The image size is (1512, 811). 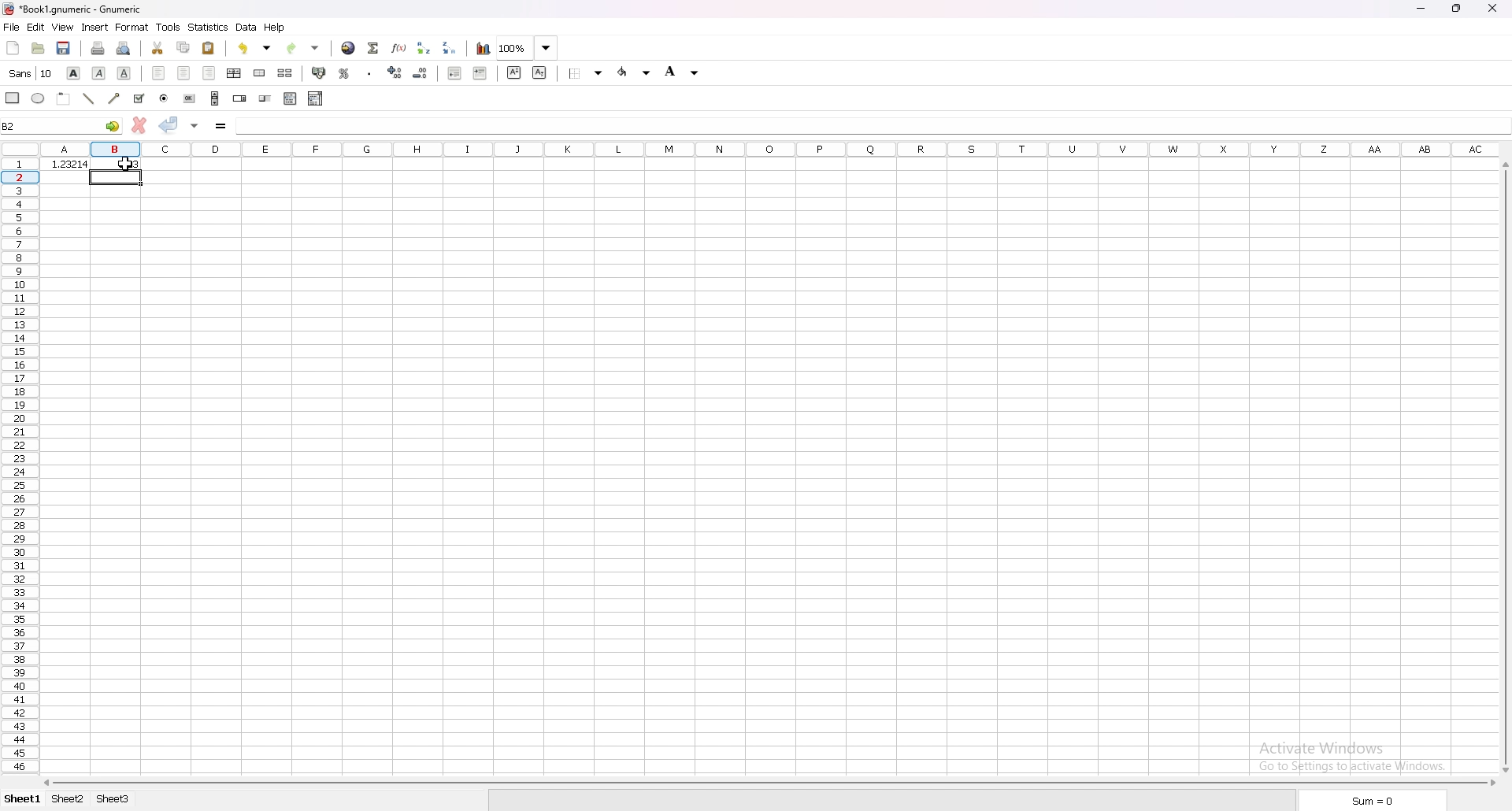 I want to click on formula, so click(x=222, y=124).